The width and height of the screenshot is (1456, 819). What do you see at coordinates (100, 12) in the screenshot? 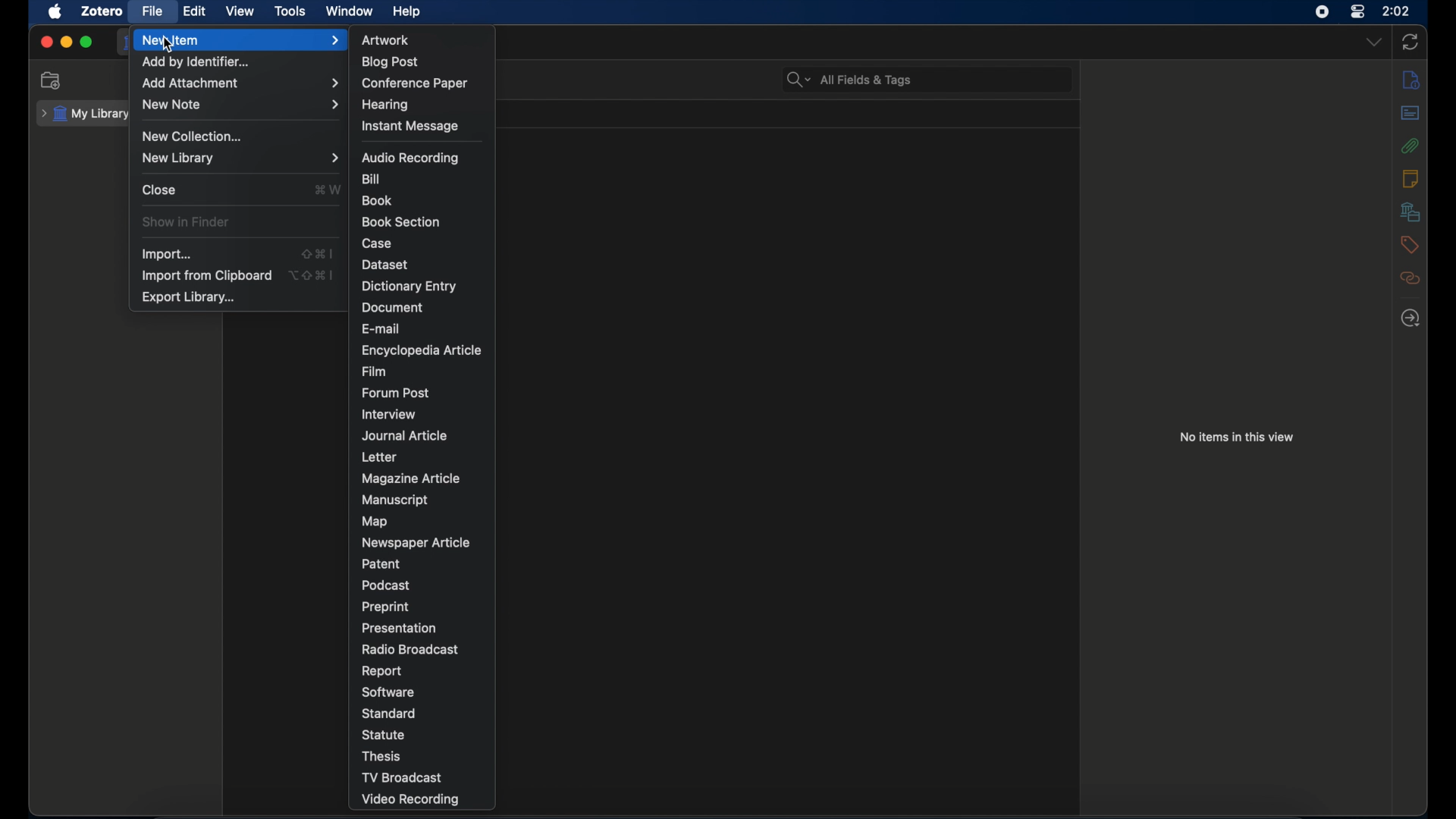
I see `zotero` at bounding box center [100, 12].